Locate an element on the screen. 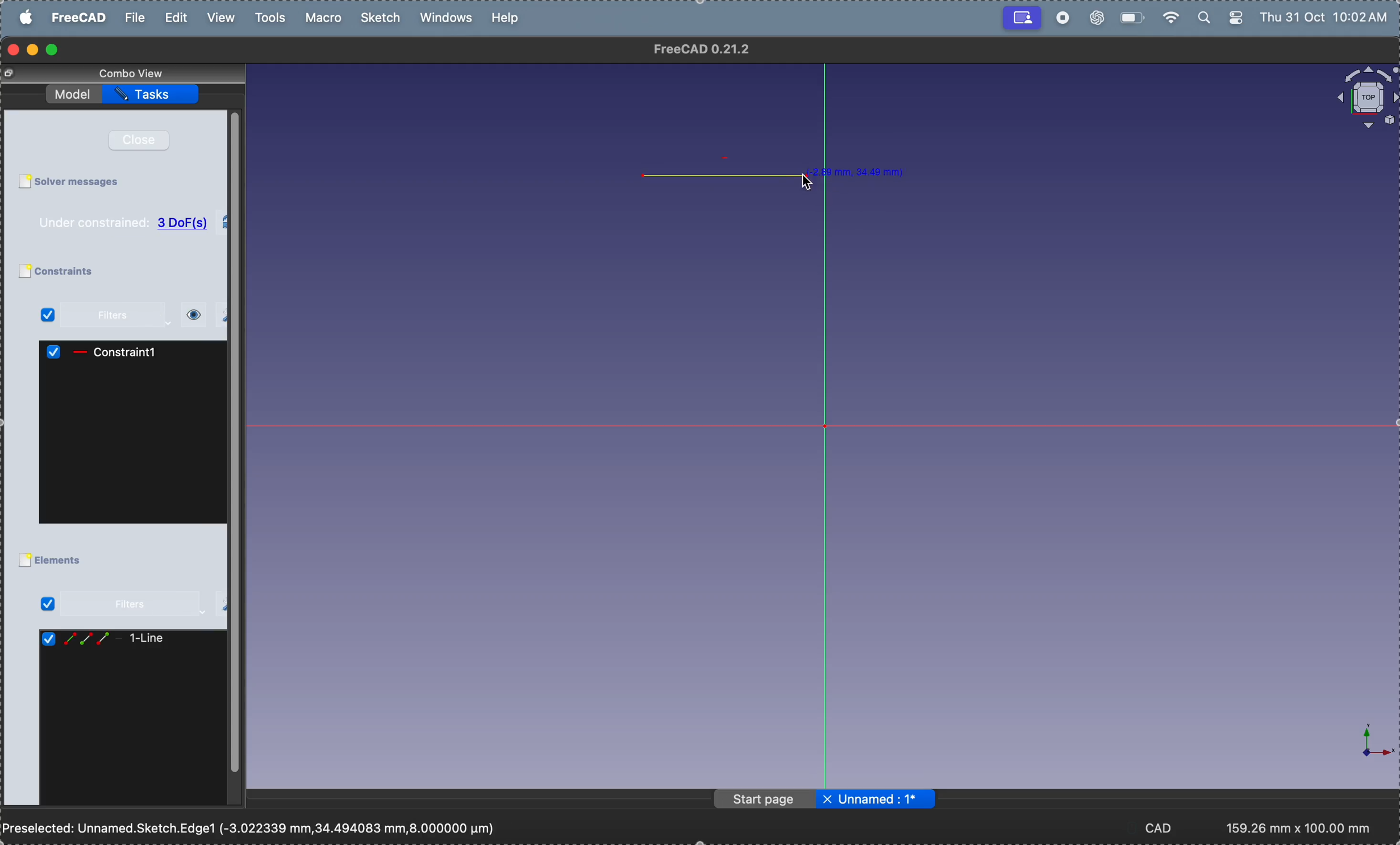 The image size is (1400, 845). filters is located at coordinates (110, 605).